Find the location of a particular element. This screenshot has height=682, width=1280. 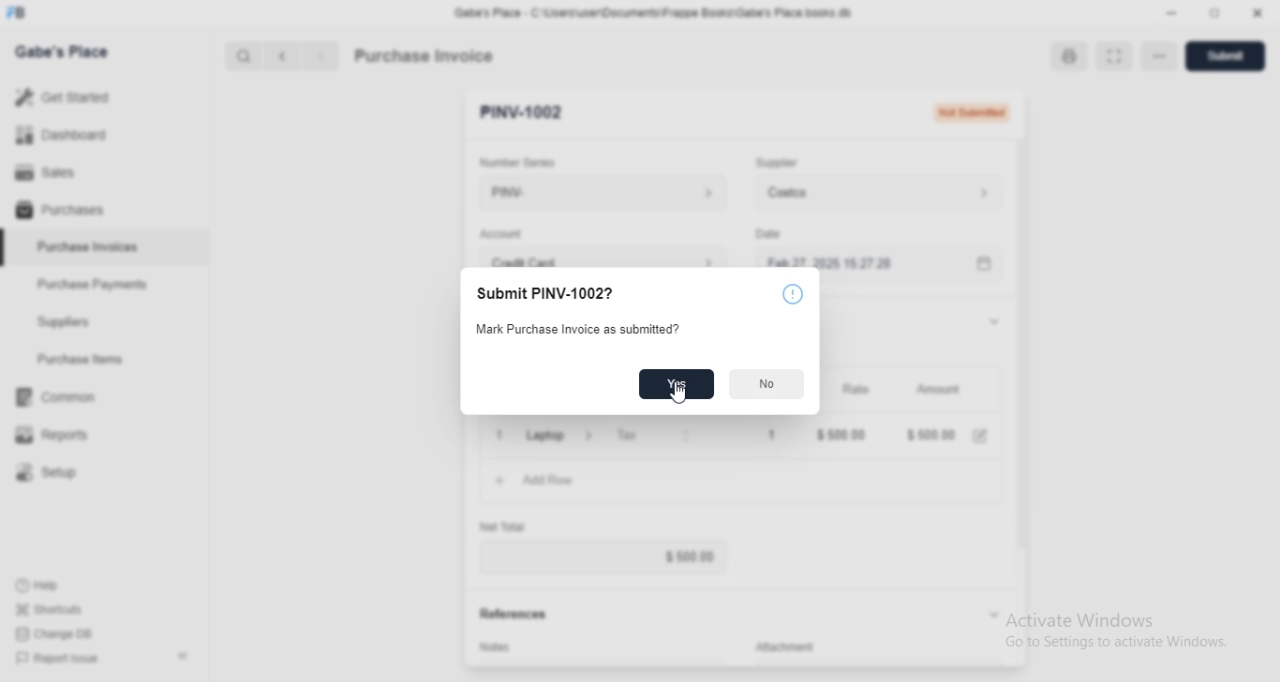

PINV-1002 is located at coordinates (522, 113).